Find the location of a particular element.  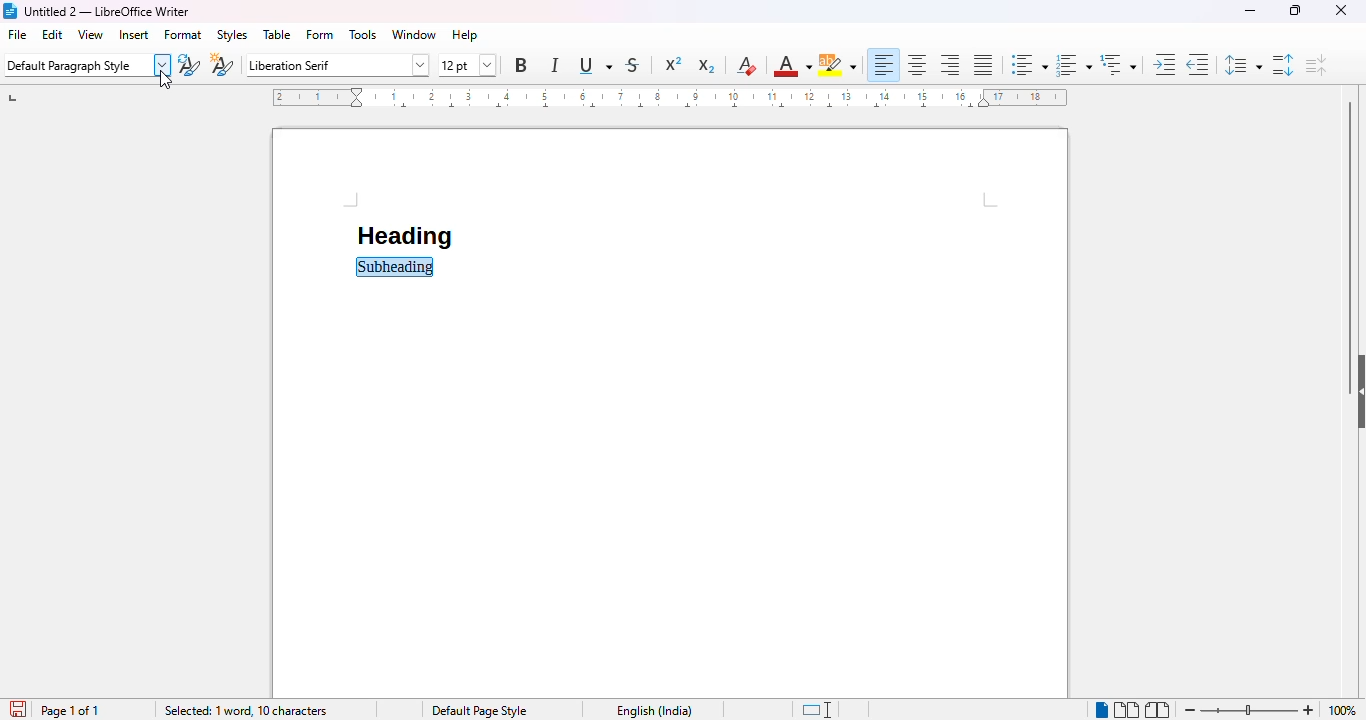

maximize is located at coordinates (1297, 9).